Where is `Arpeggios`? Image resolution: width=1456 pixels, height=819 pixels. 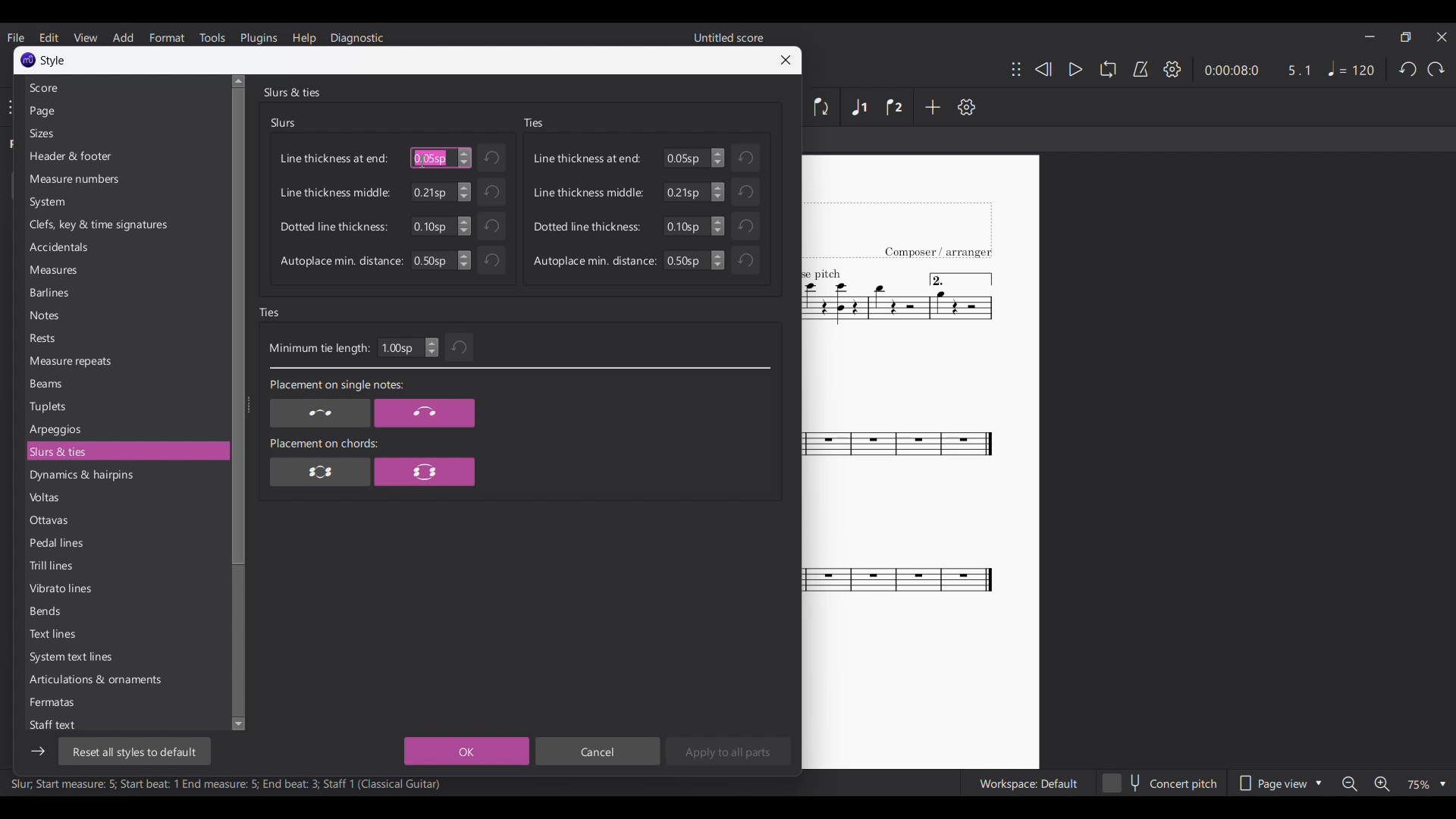 Arpeggios is located at coordinates (125, 429).